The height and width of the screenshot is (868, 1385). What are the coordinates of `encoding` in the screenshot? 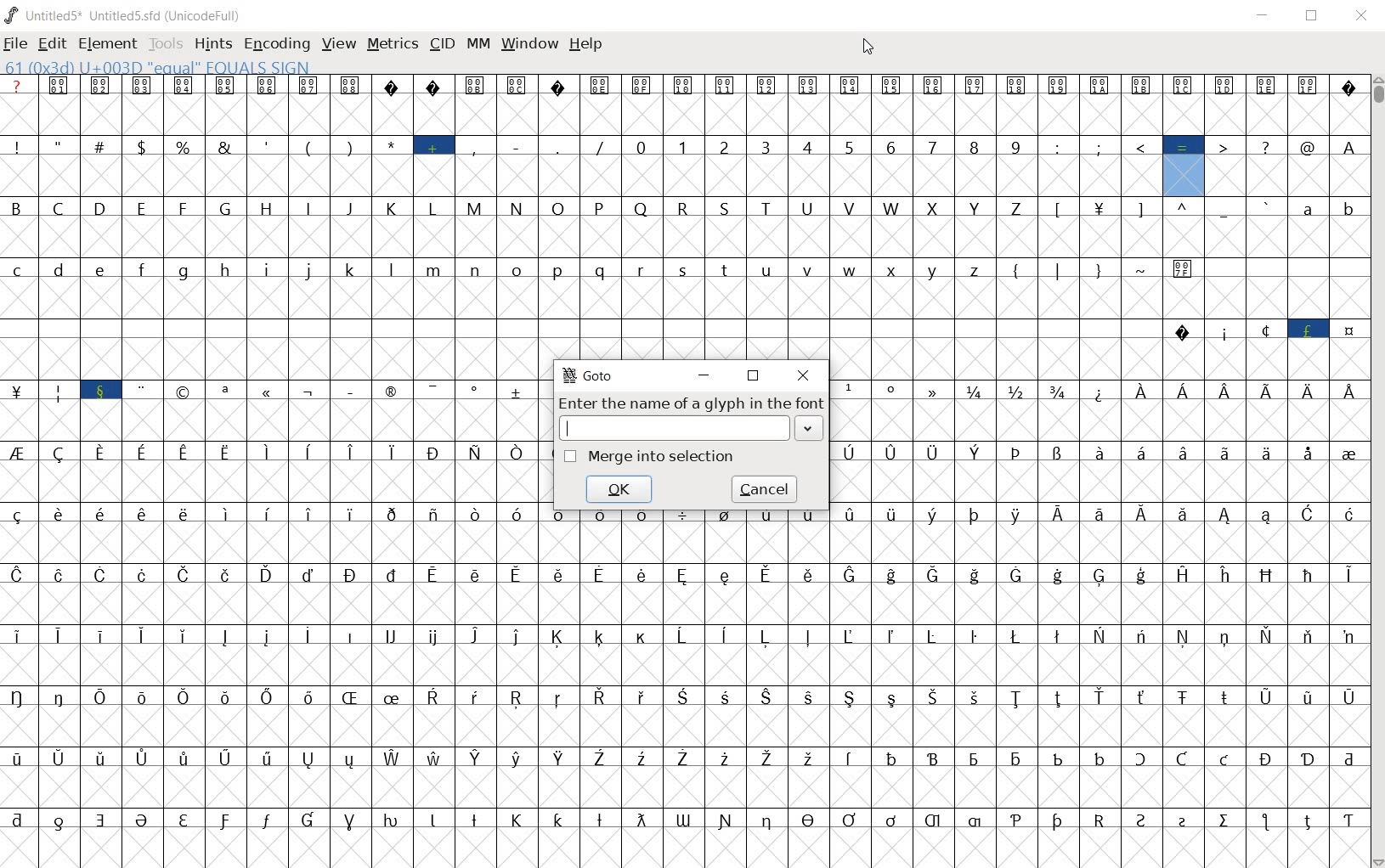 It's located at (276, 42).